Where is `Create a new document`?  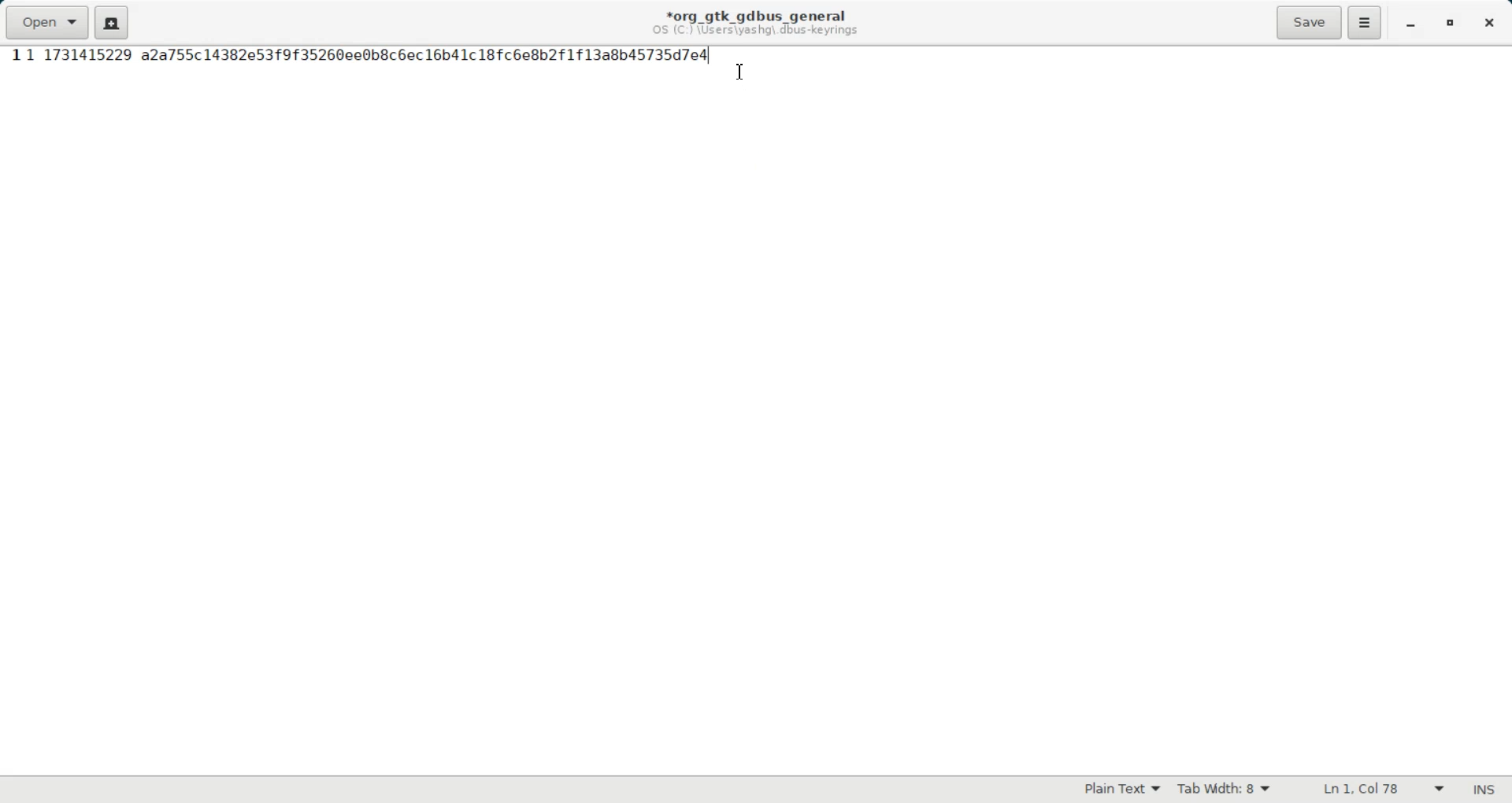
Create a new document is located at coordinates (112, 22).